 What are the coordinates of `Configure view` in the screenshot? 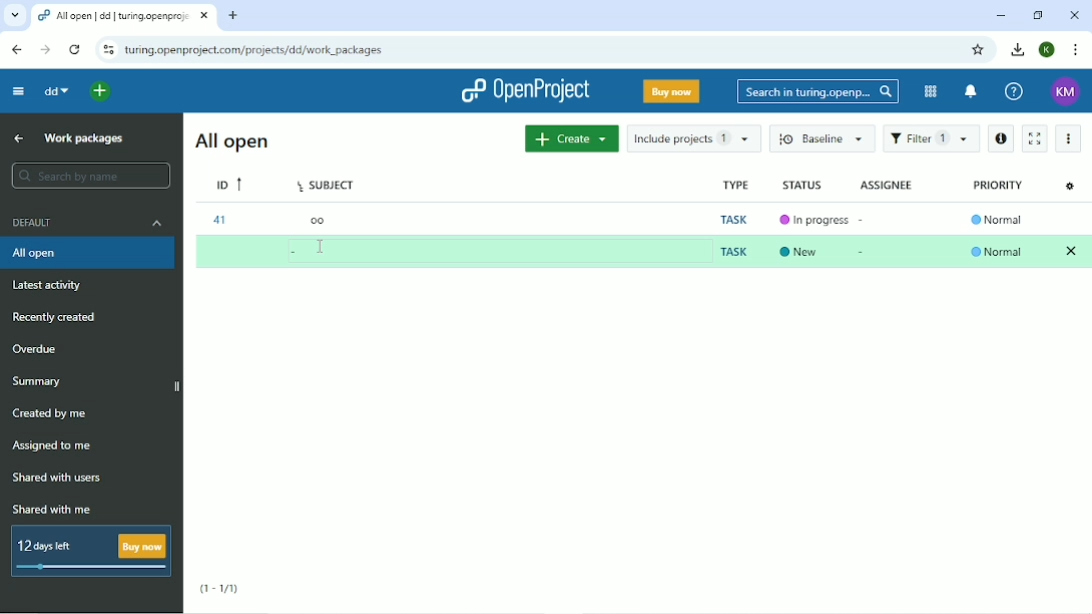 It's located at (1070, 188).